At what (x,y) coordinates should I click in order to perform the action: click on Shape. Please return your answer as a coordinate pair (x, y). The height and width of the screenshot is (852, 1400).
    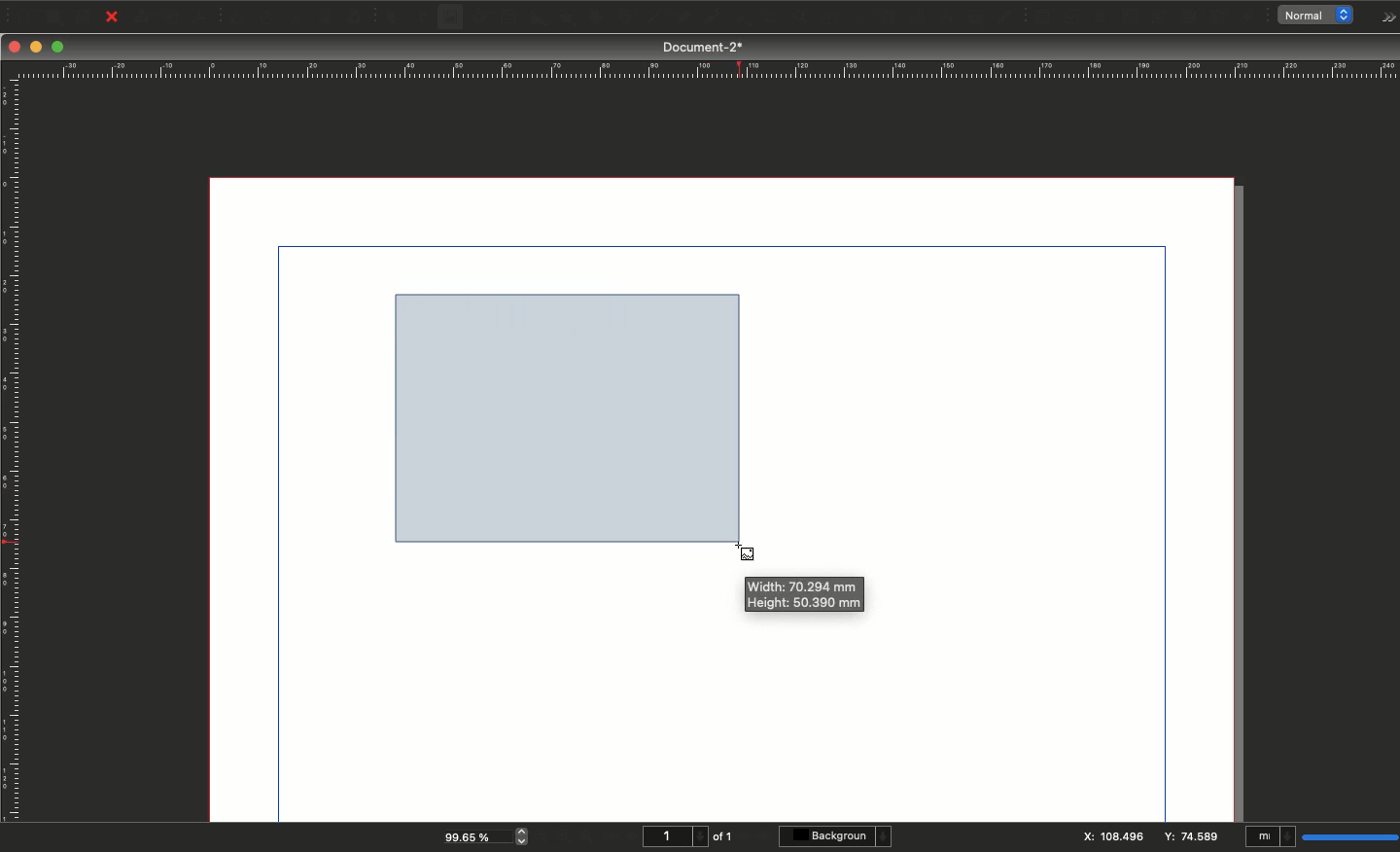
    Looking at the image, I should click on (540, 18).